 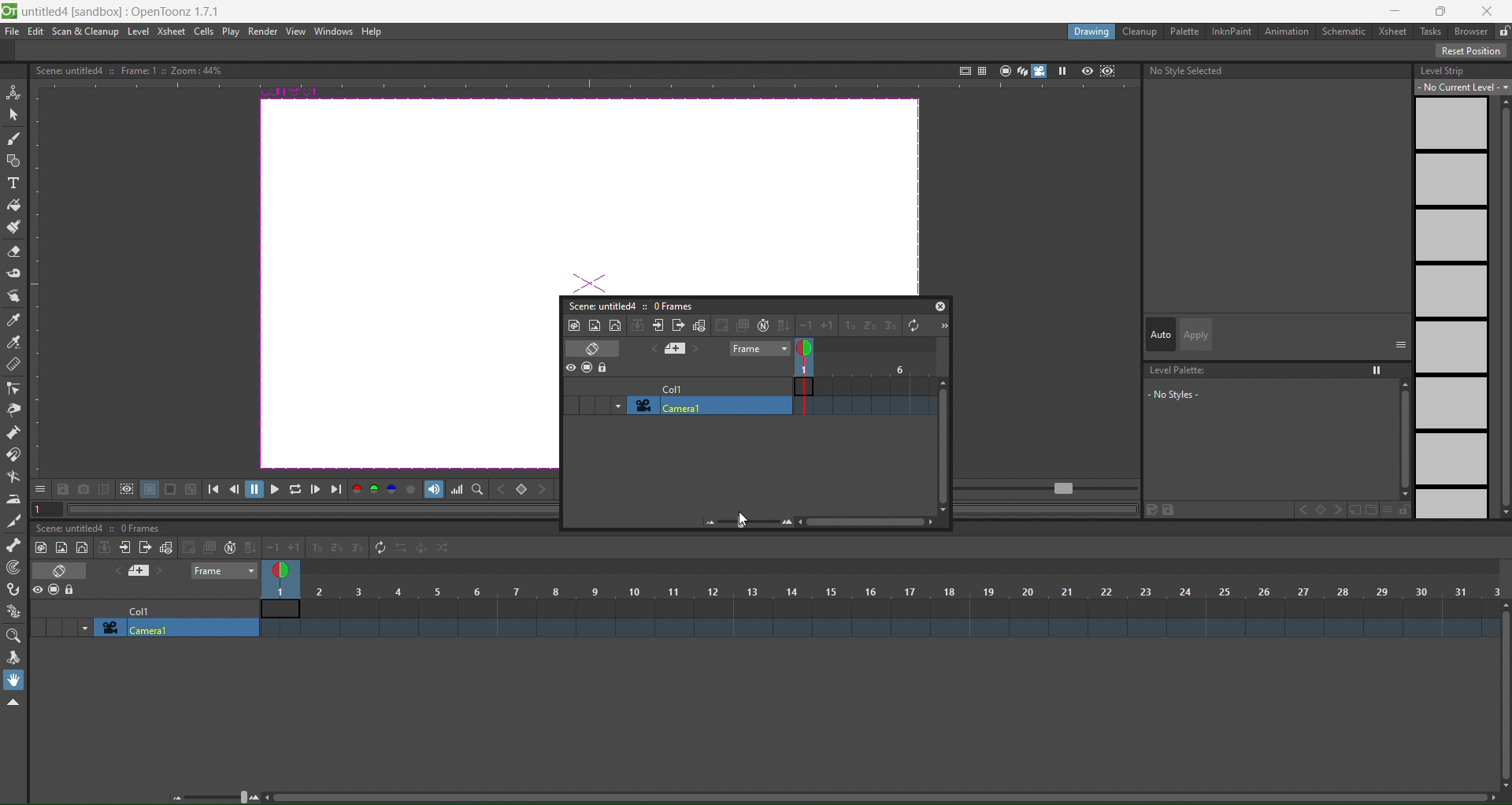 What do you see at coordinates (17, 636) in the screenshot?
I see `magnifier tool` at bounding box center [17, 636].